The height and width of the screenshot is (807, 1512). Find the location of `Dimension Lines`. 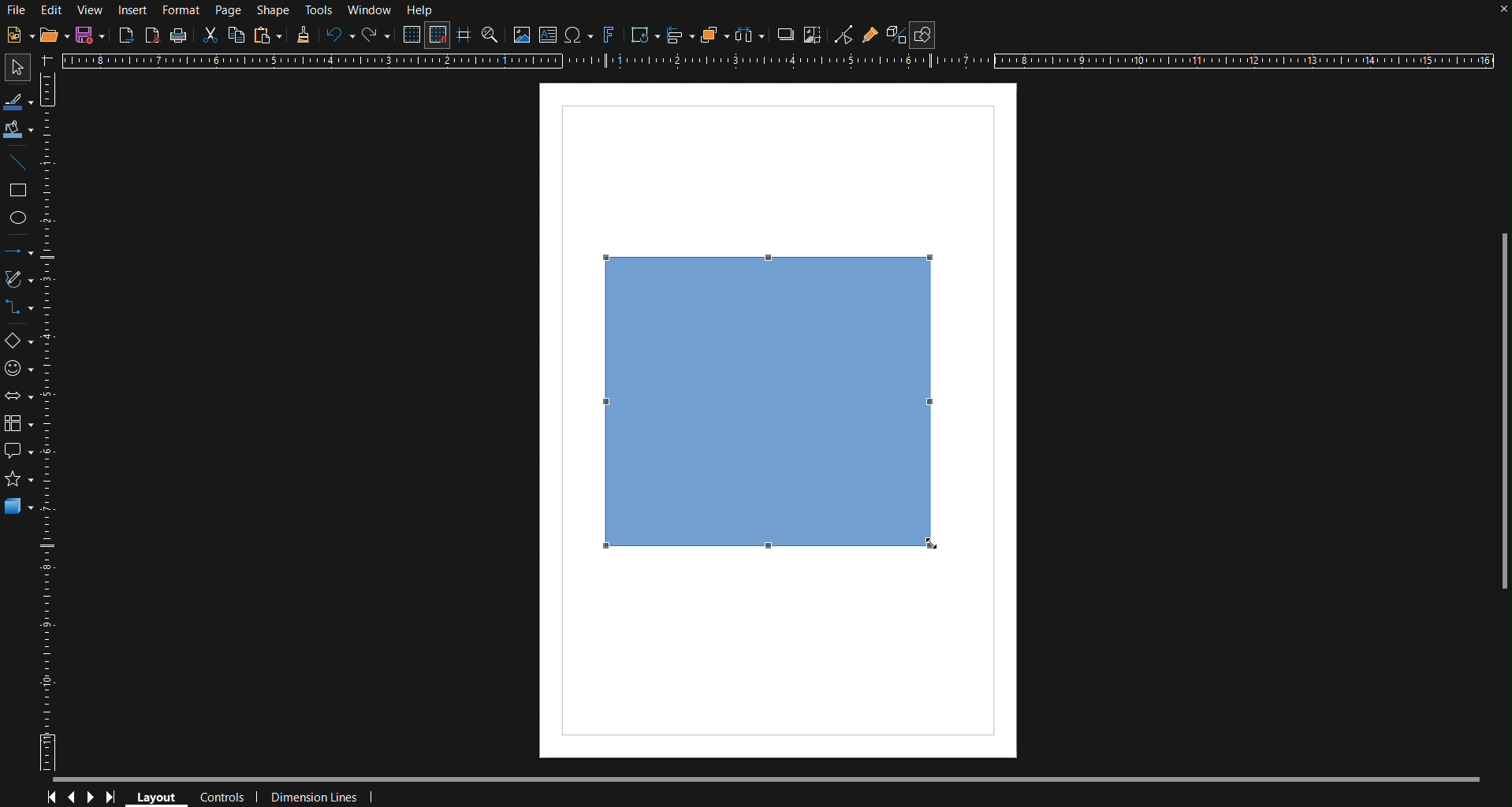

Dimension Lines is located at coordinates (327, 797).